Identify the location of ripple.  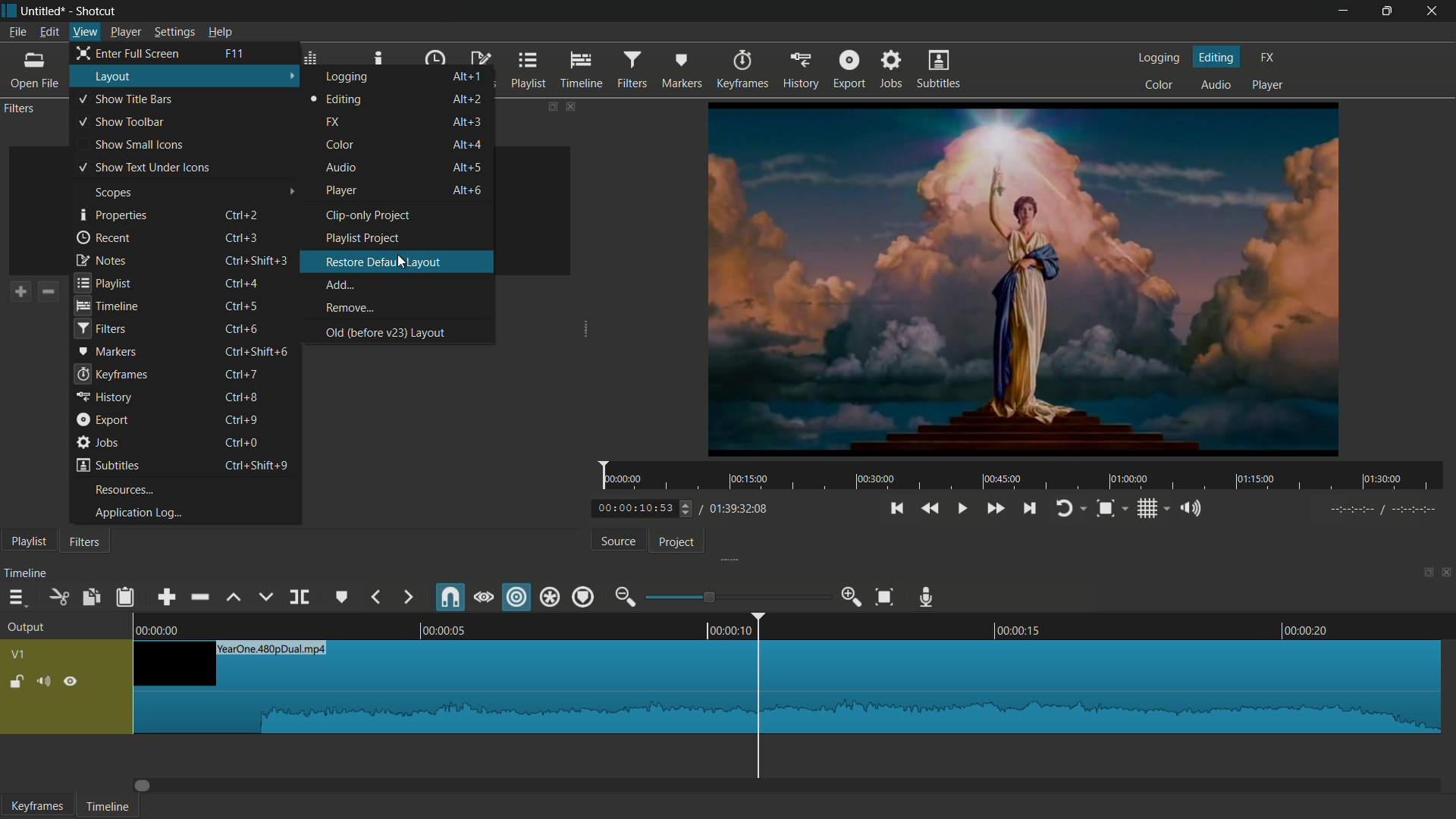
(517, 598).